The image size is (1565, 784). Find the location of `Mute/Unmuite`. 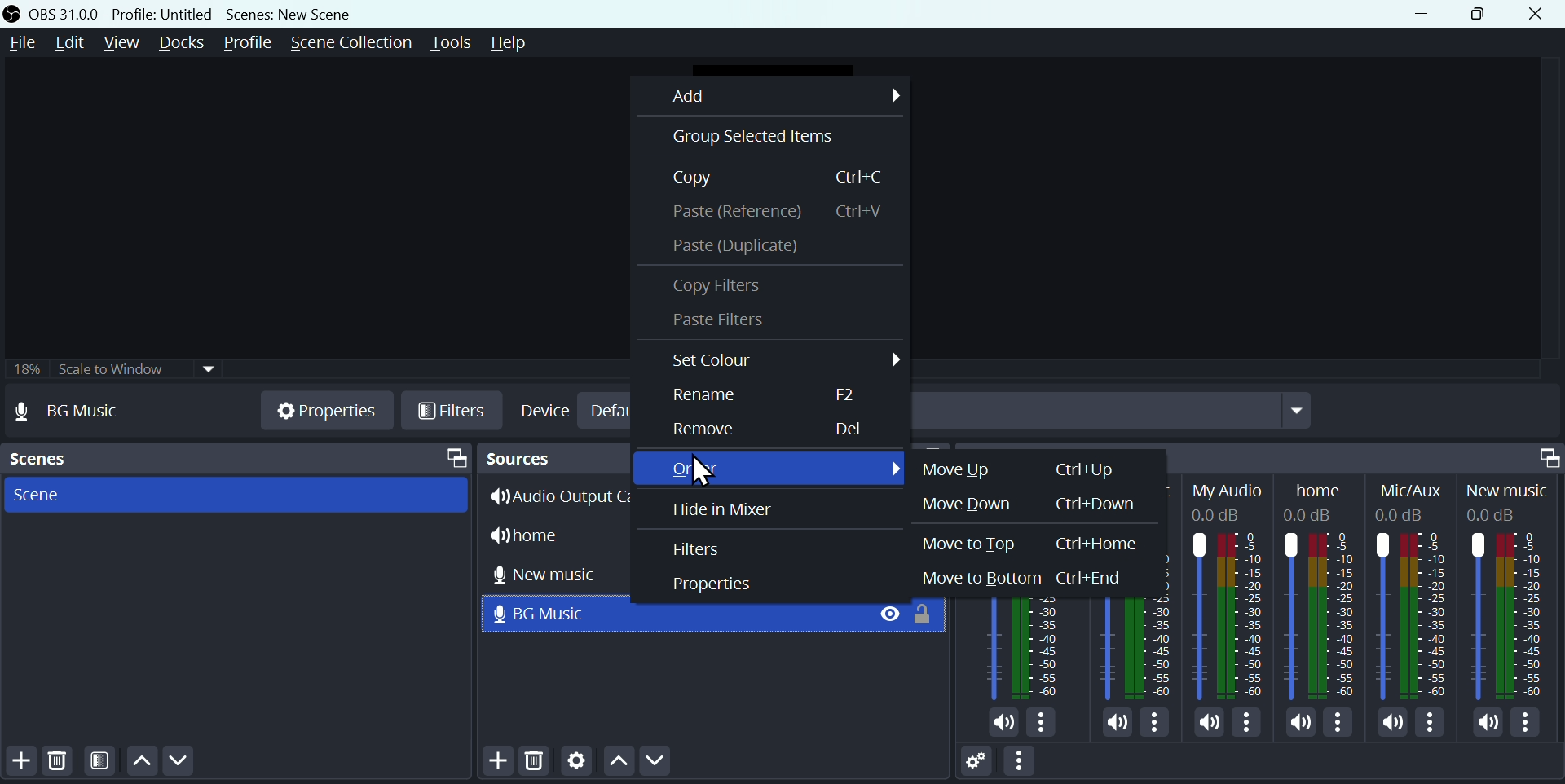

Mute/Unmuite is located at coordinates (1208, 725).